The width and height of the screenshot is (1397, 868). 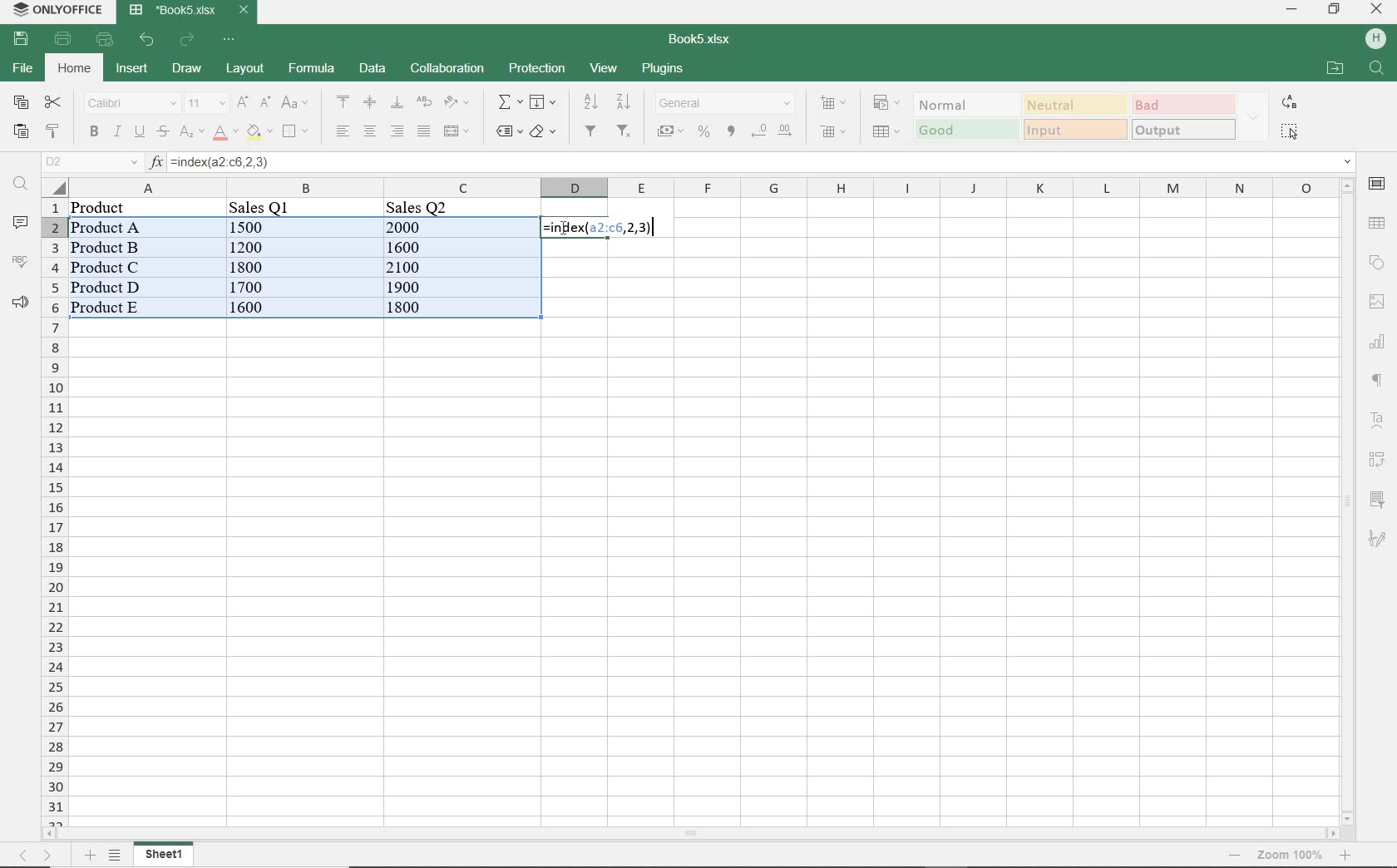 I want to click on find, so click(x=1378, y=69).